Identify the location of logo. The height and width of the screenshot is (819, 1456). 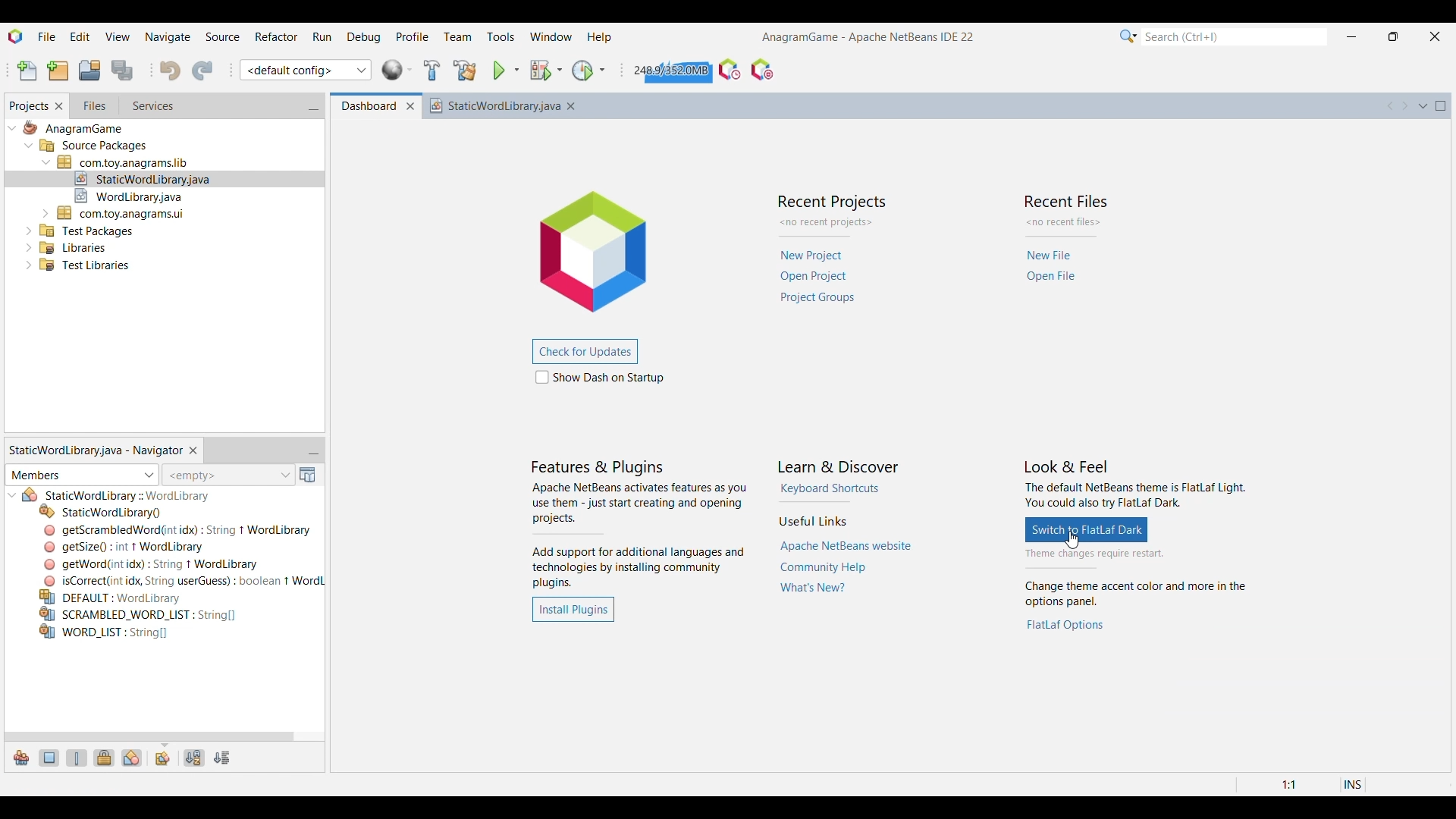
(604, 248).